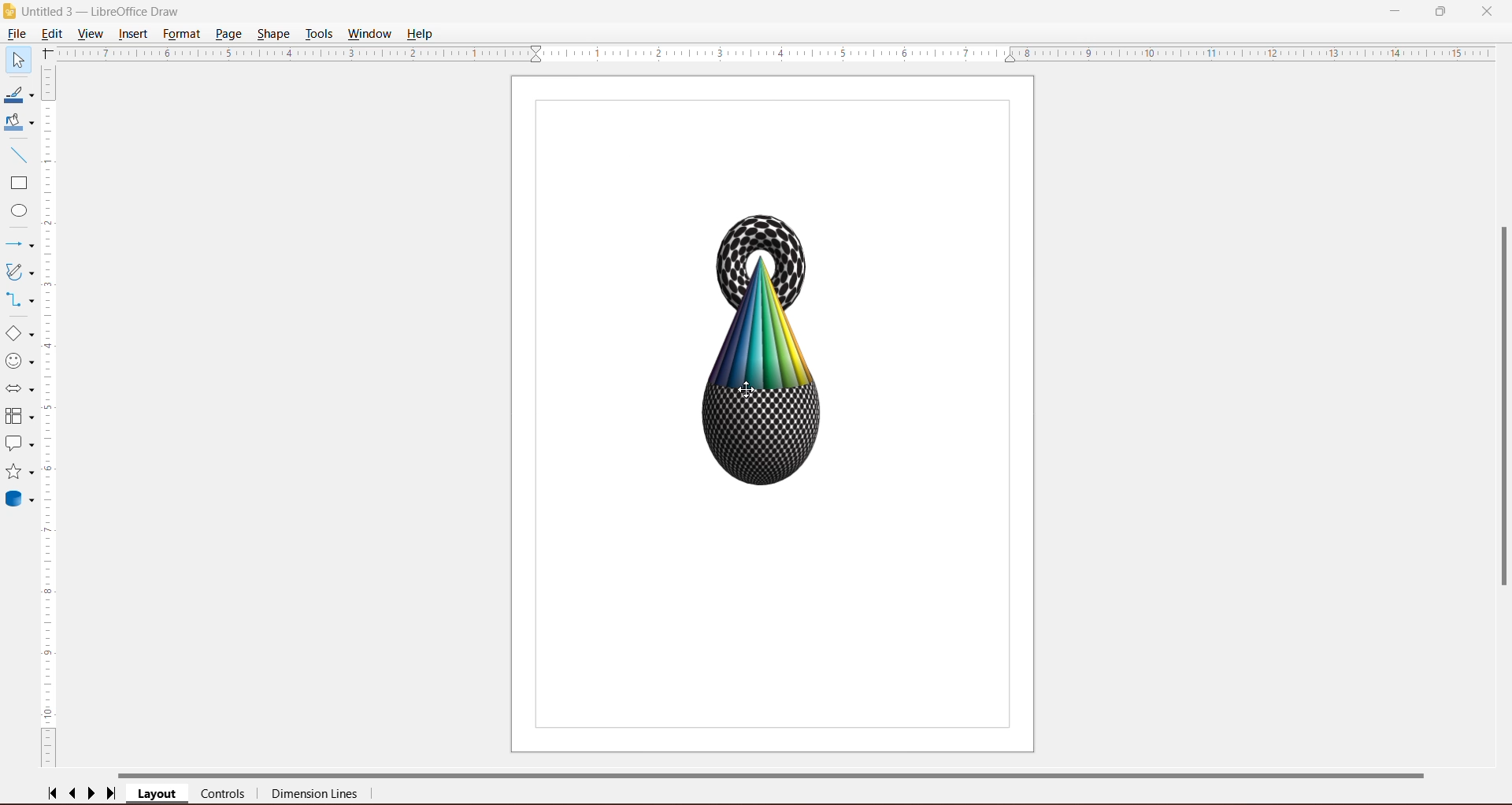 The height and width of the screenshot is (805, 1512). Describe the element at coordinates (776, 774) in the screenshot. I see `Horizontal Scroll Bar` at that location.